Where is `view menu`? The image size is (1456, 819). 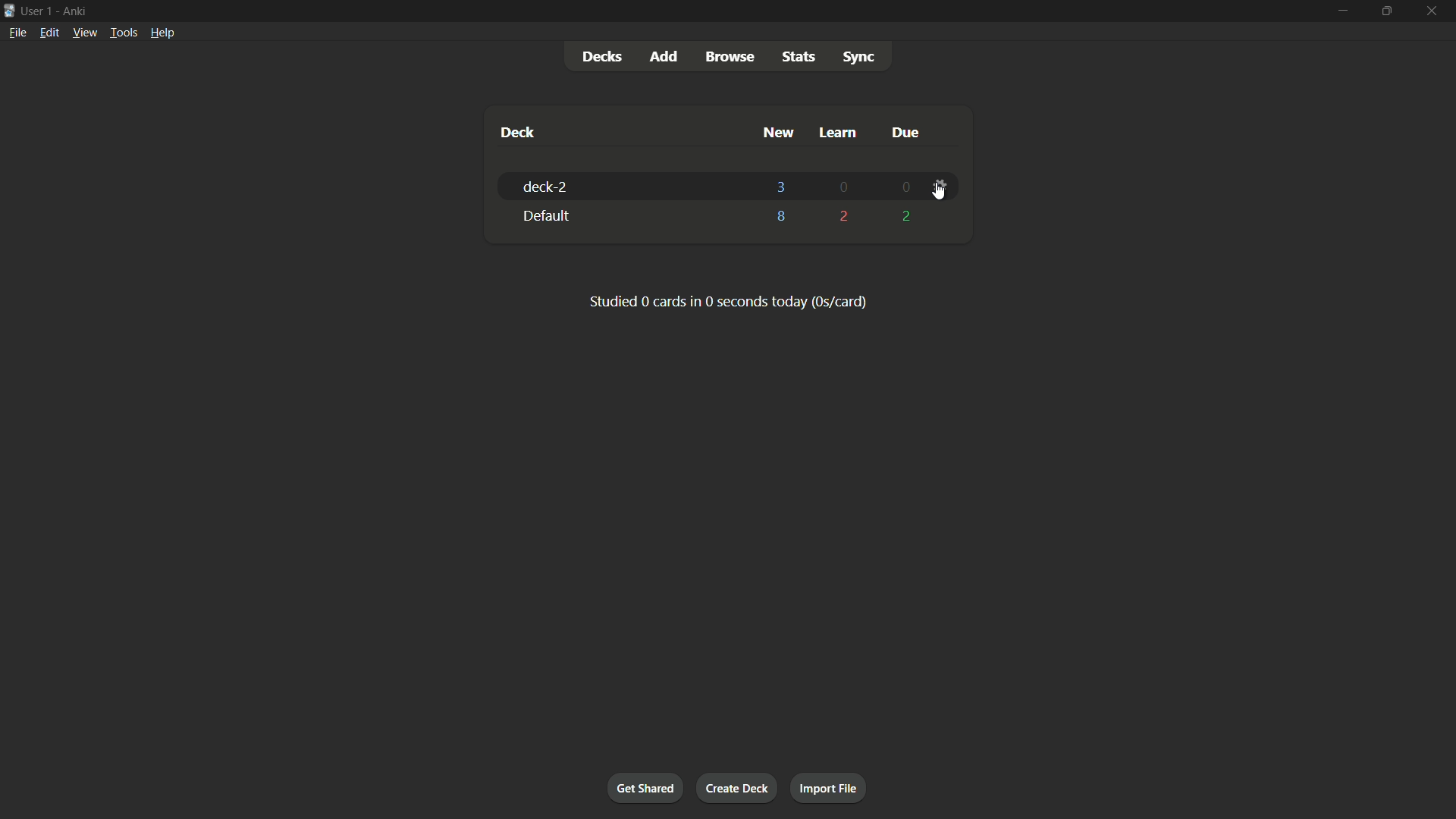 view menu is located at coordinates (85, 33).